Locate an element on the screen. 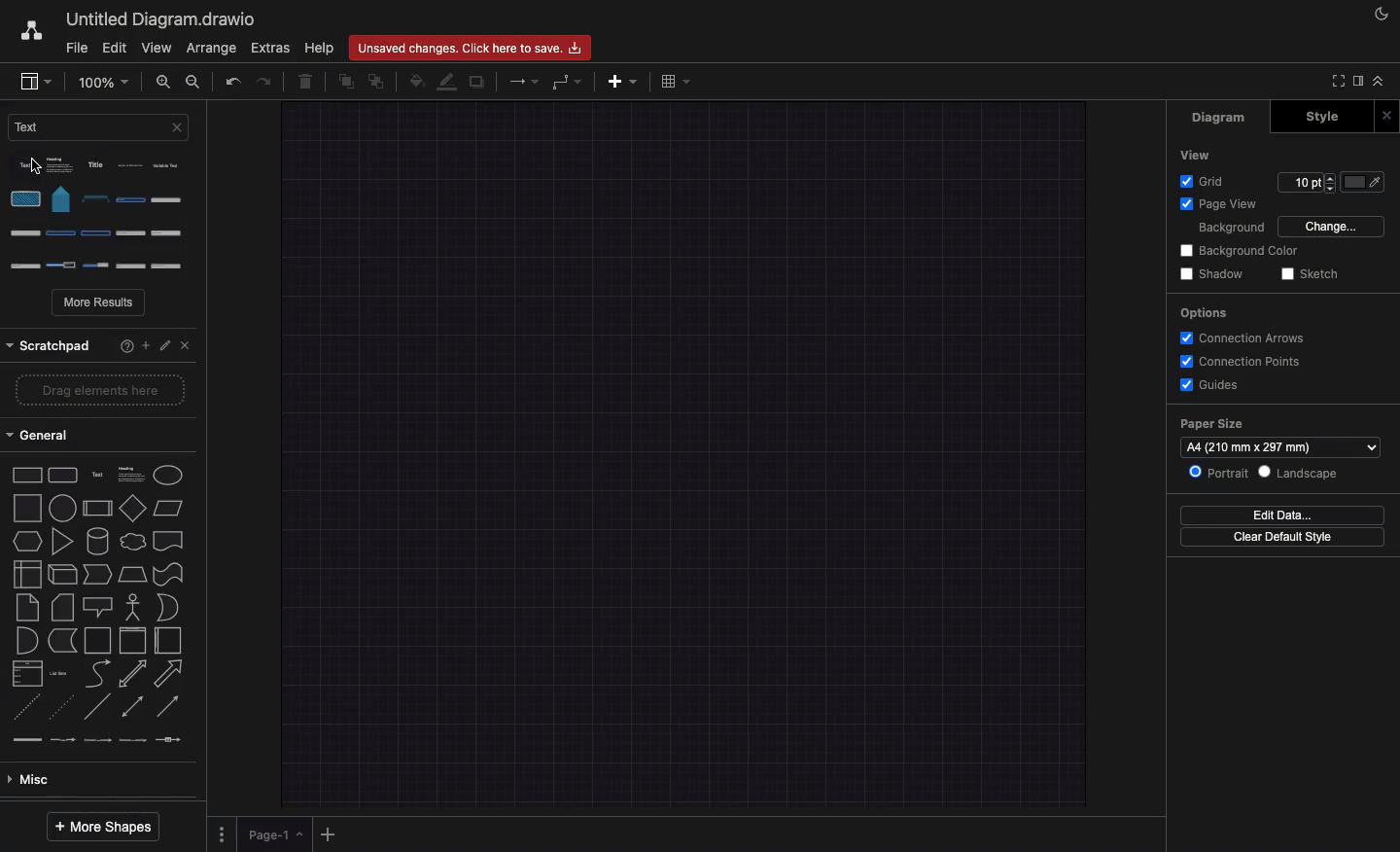 Image resolution: width=1400 pixels, height=852 pixels. Ad is located at coordinates (624, 81).